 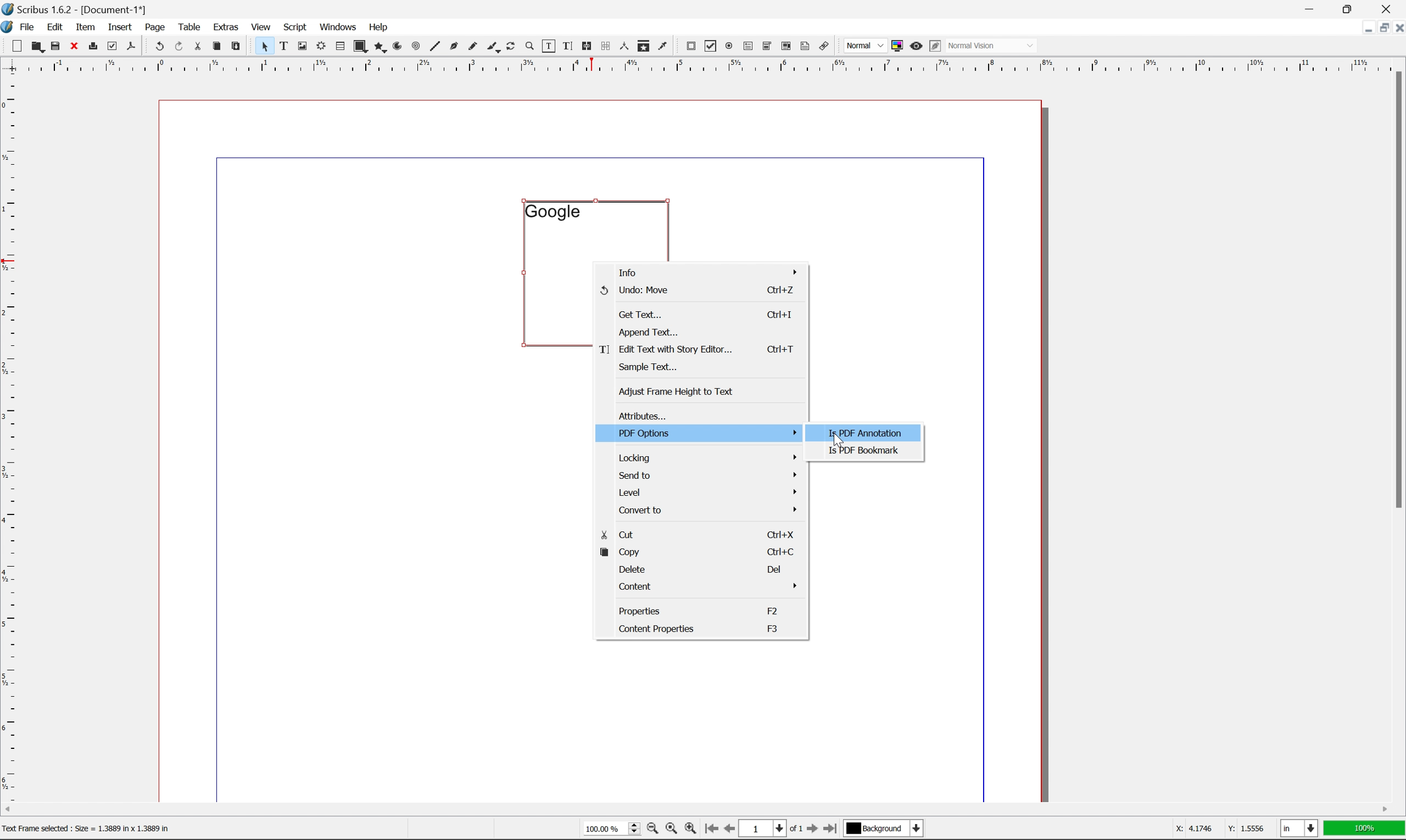 What do you see at coordinates (1311, 8) in the screenshot?
I see `minimize` at bounding box center [1311, 8].